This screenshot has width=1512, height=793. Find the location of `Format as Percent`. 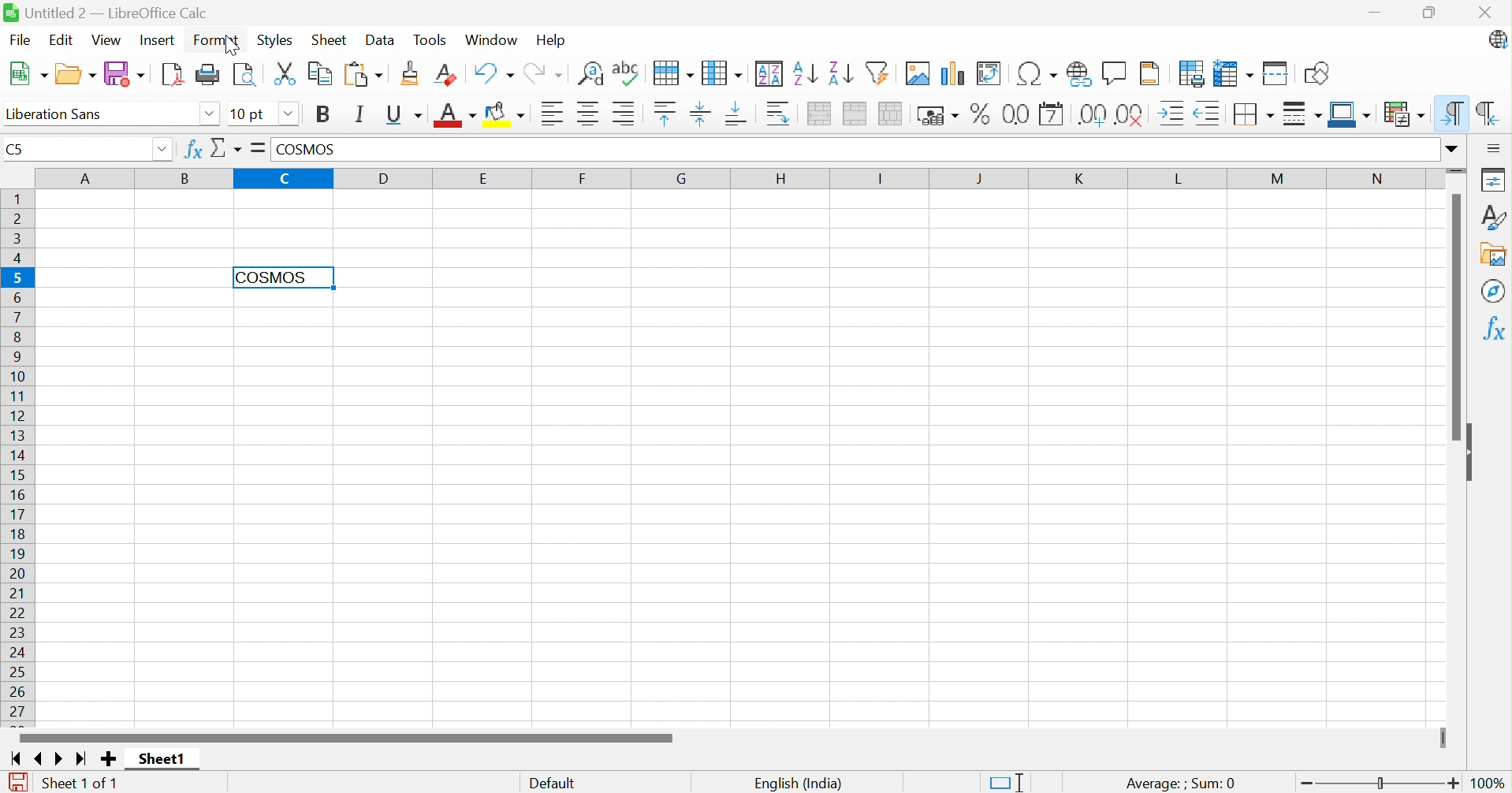

Format as Percent is located at coordinates (981, 113).